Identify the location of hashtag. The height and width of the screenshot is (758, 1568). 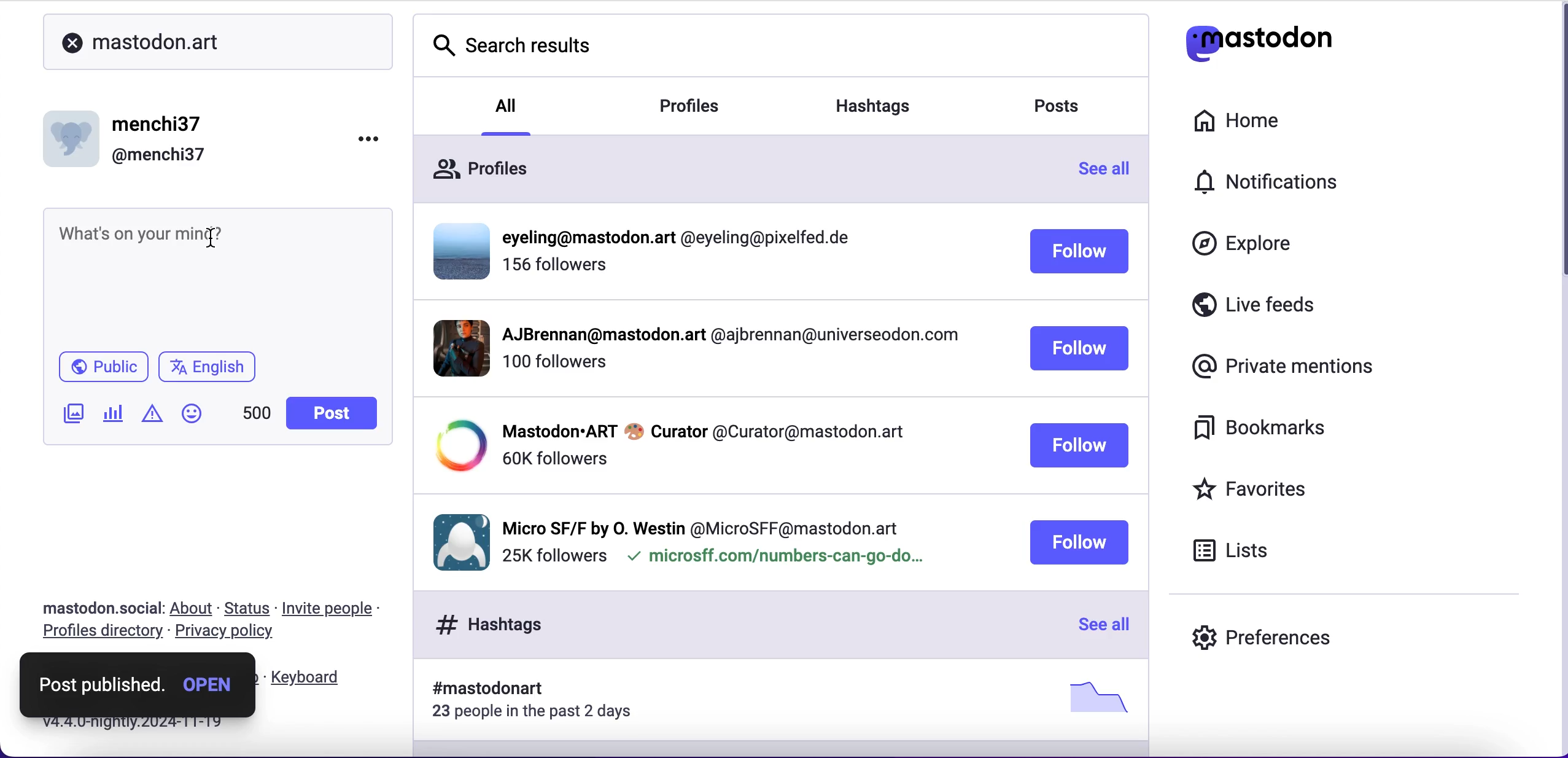
(480, 689).